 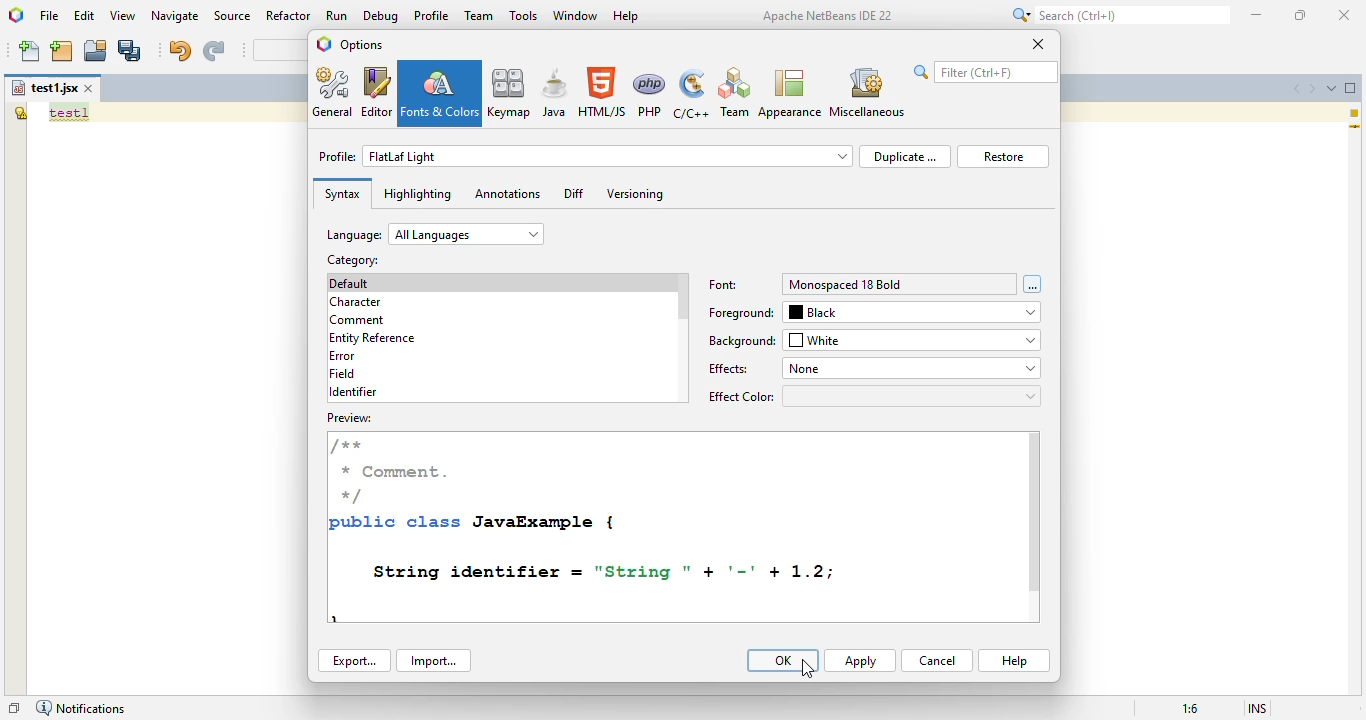 What do you see at coordinates (1313, 89) in the screenshot?
I see `scroll documents right` at bounding box center [1313, 89].